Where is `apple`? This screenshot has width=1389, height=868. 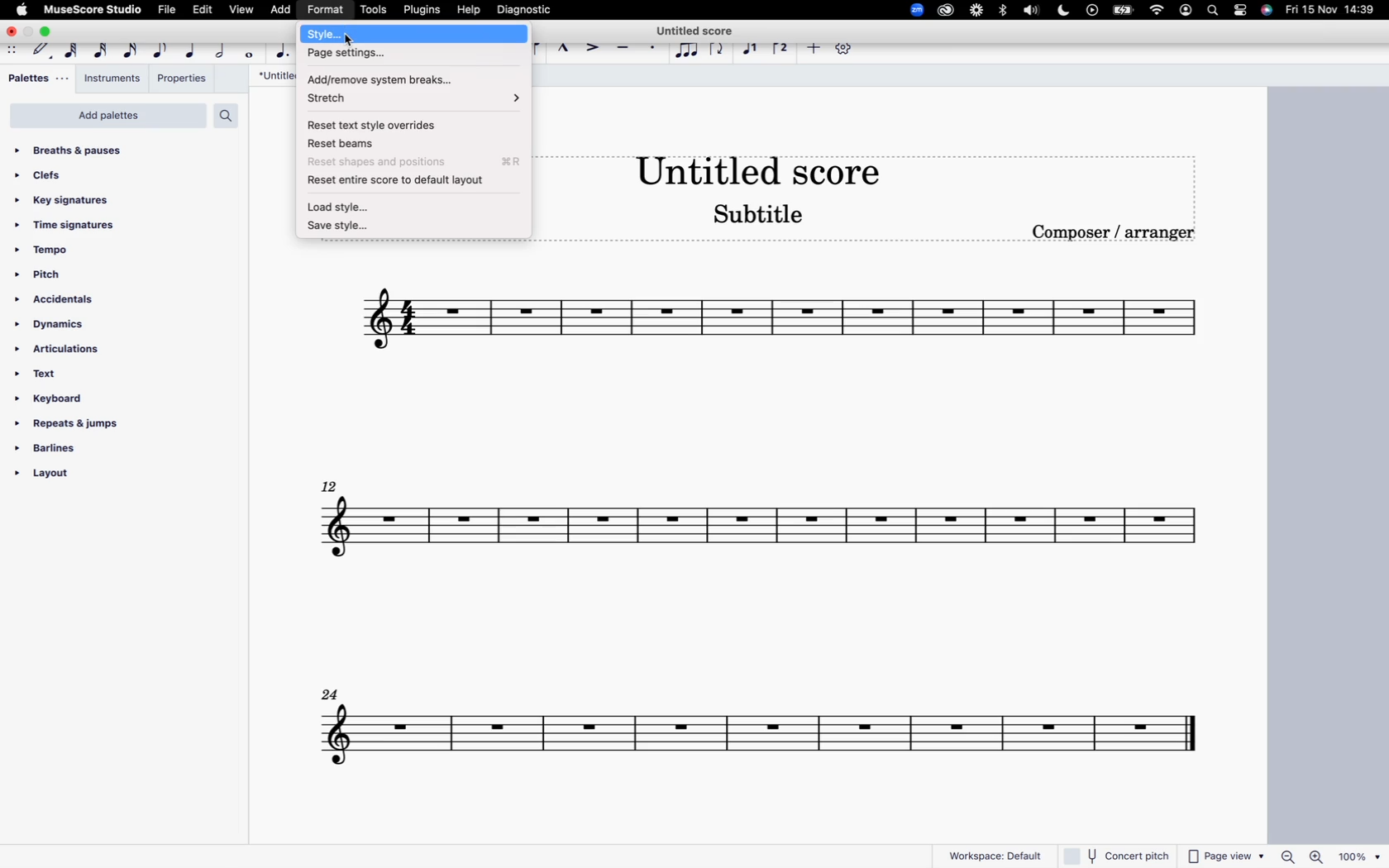
apple is located at coordinates (23, 10).